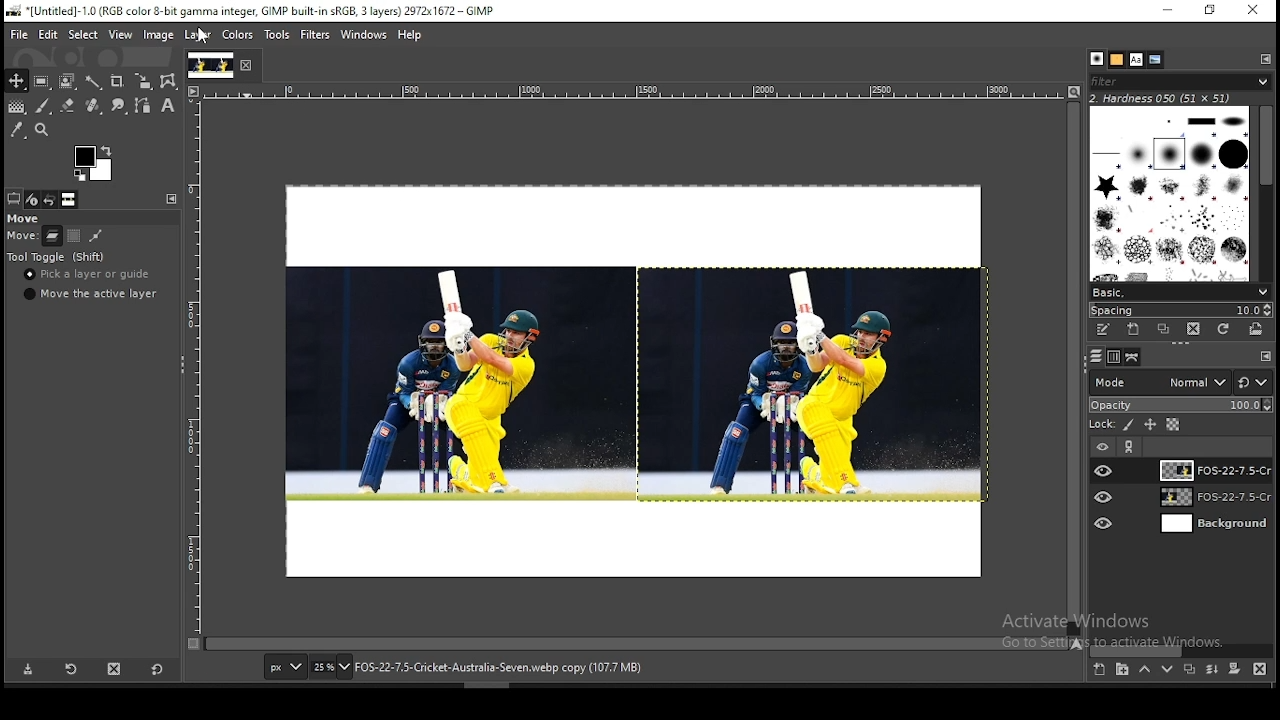 This screenshot has width=1280, height=720. Describe the element at coordinates (1186, 672) in the screenshot. I see `duplicate layer` at that location.